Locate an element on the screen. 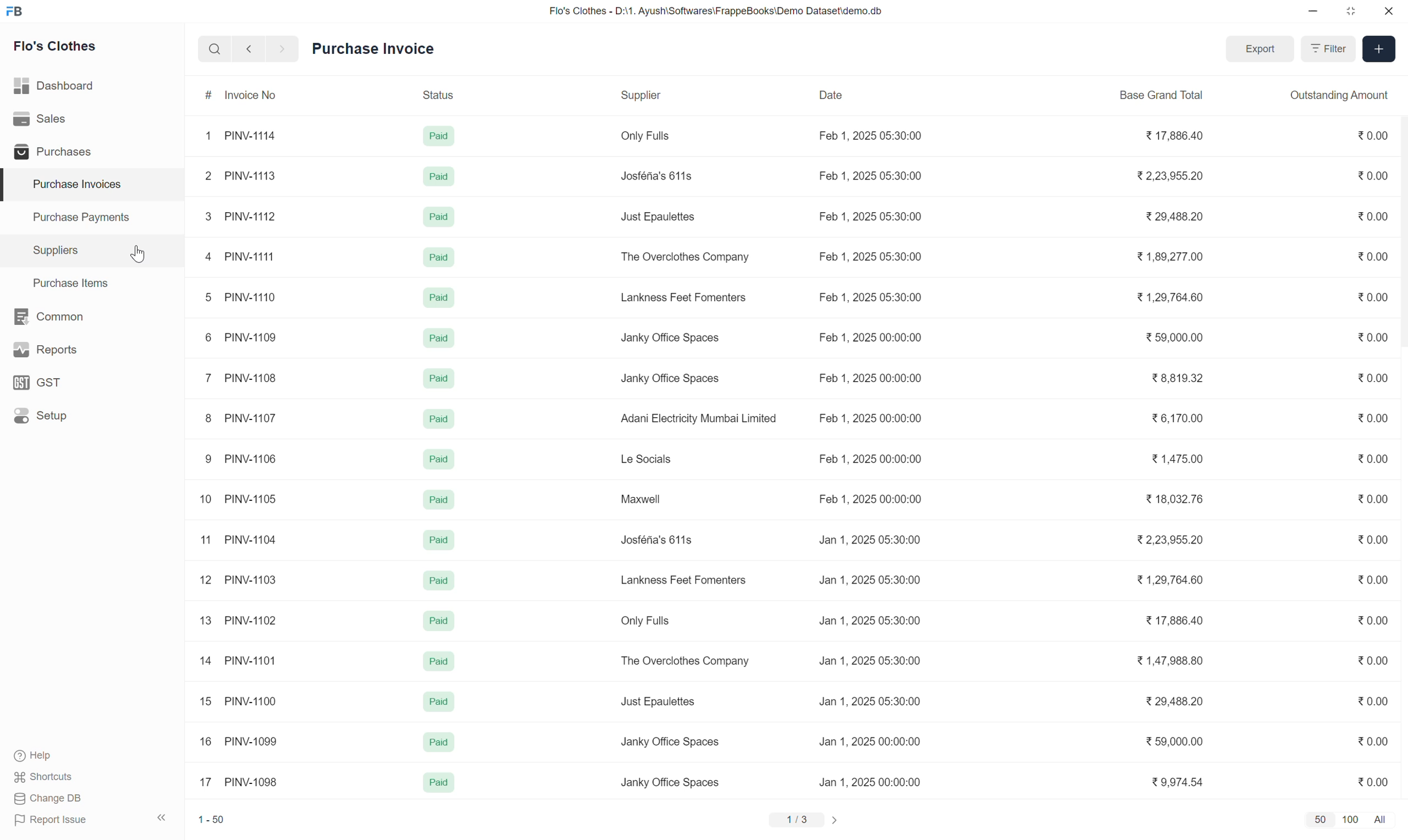 The image size is (1408, 840). PINV-1102 is located at coordinates (251, 620).